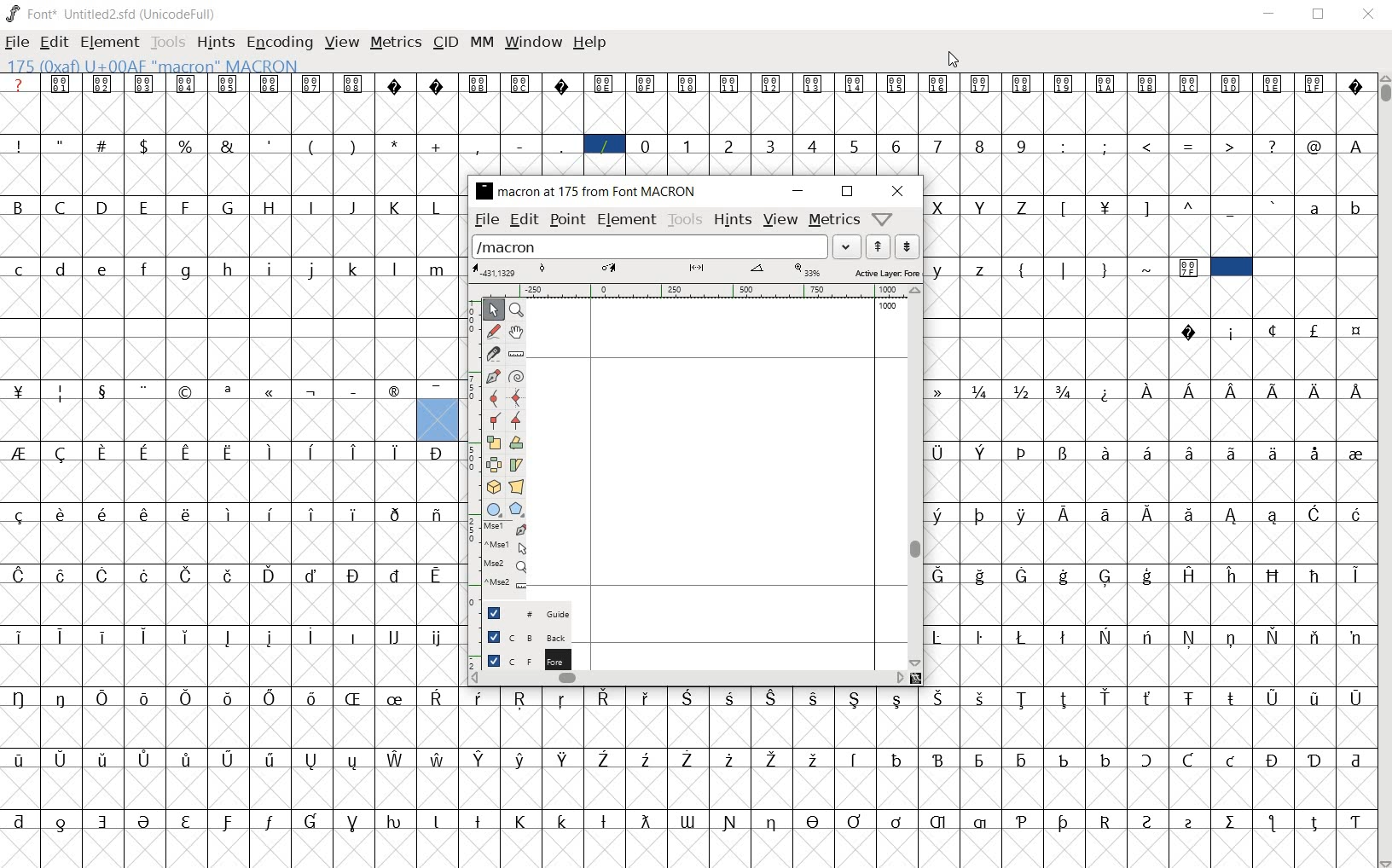 The image size is (1392, 868). I want to click on [, so click(1064, 207).